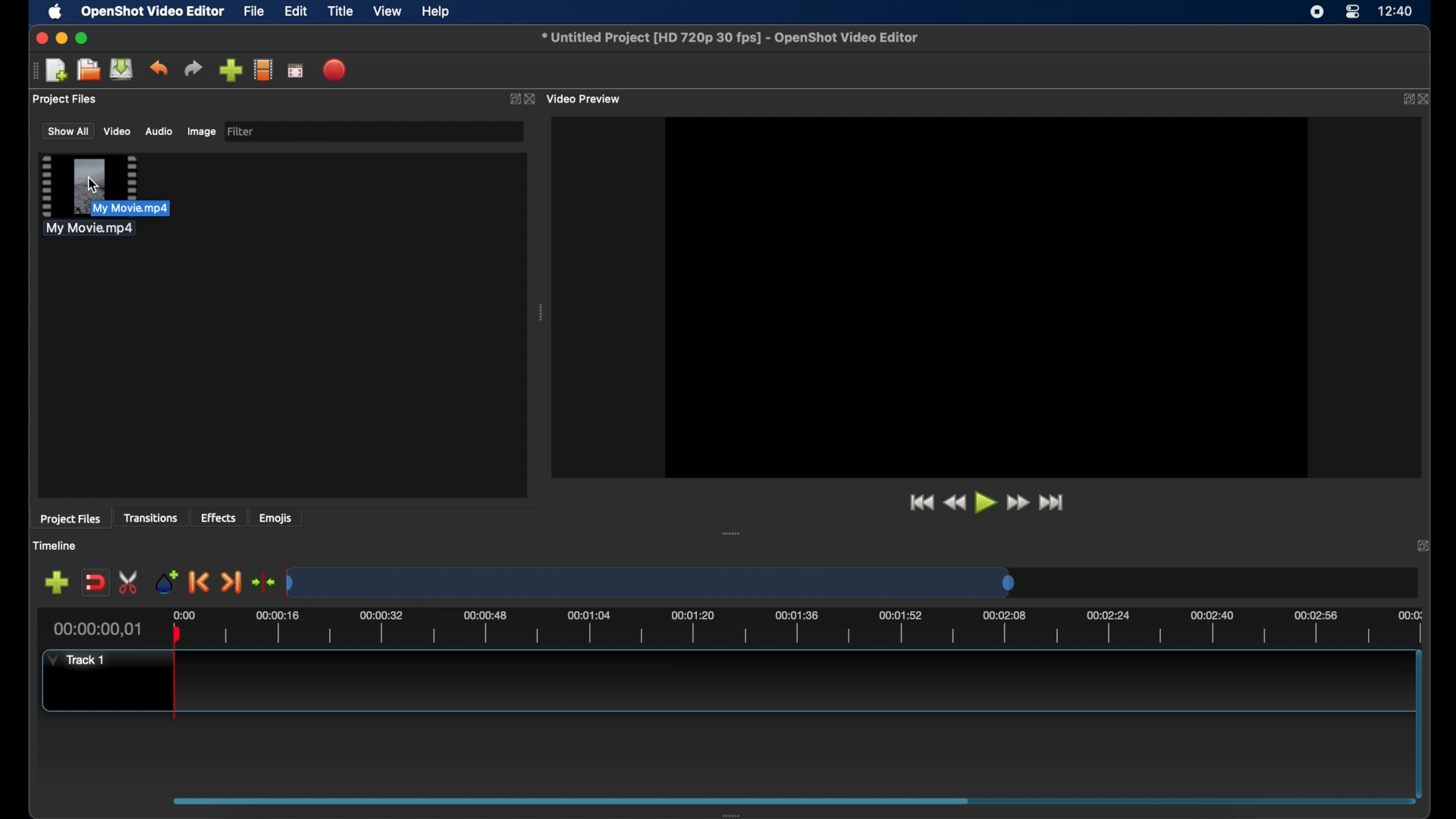  Describe the element at coordinates (741, 813) in the screenshot. I see `drag handle ` at that location.